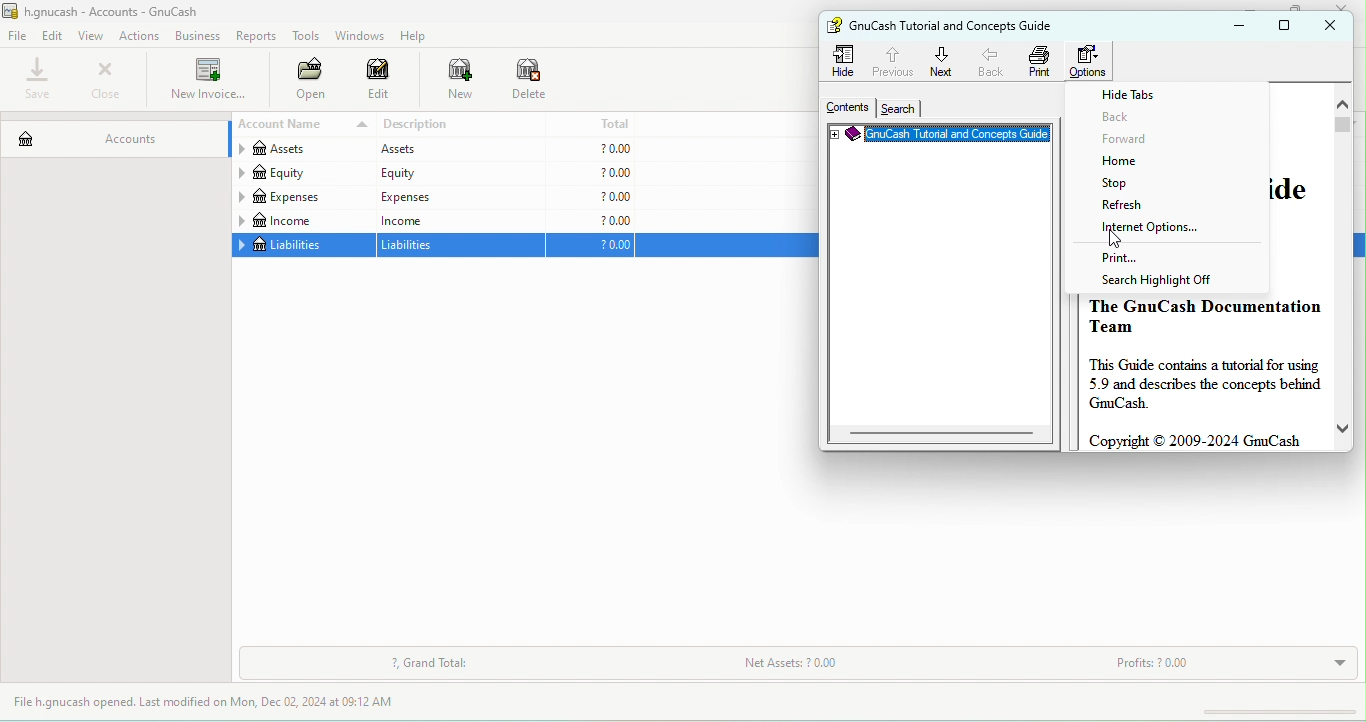 Image resolution: width=1366 pixels, height=722 pixels. I want to click on the gnu cash documentation team, so click(1205, 315).